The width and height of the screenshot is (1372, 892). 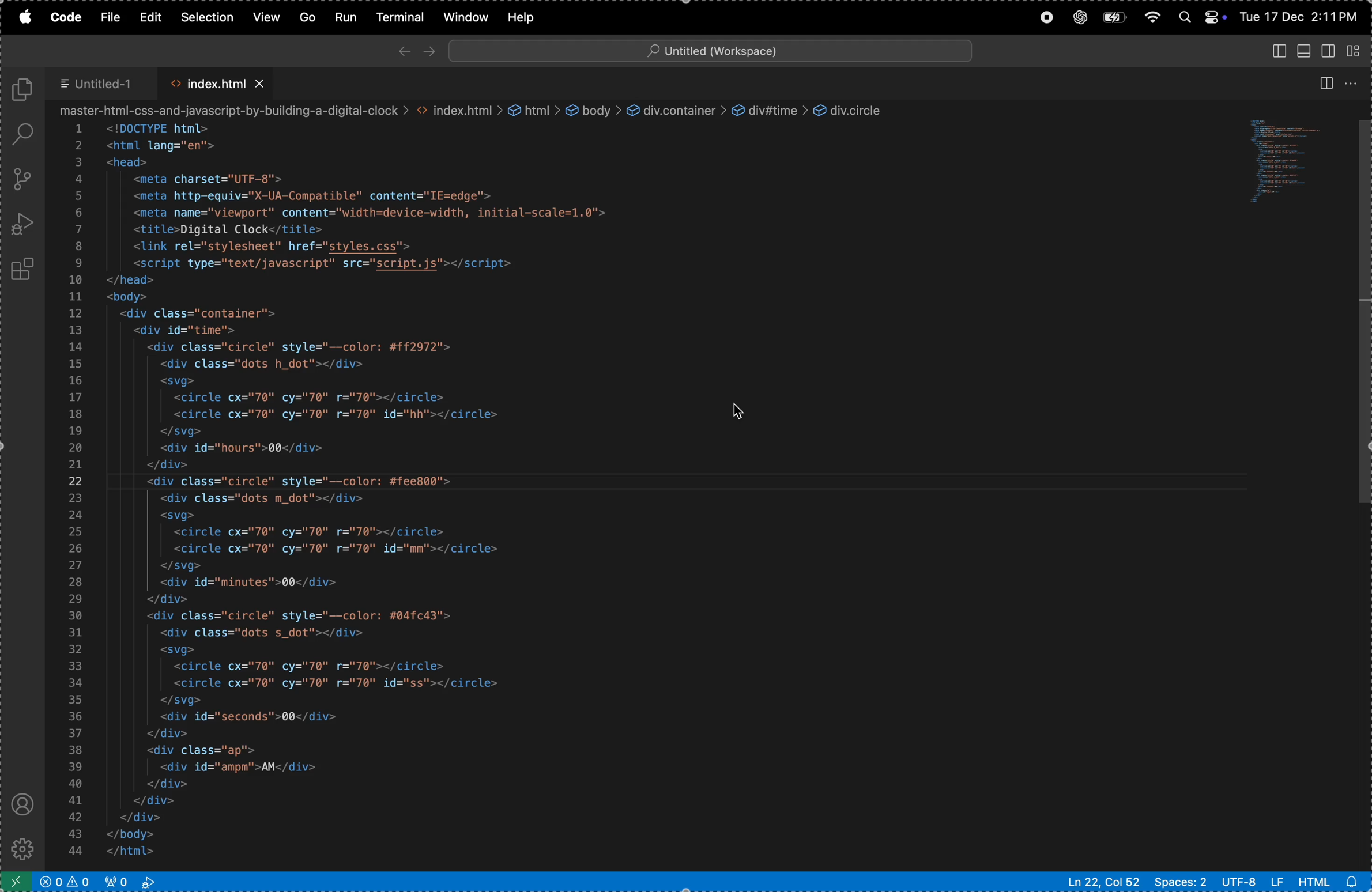 I want to click on run debug, so click(x=22, y=225).